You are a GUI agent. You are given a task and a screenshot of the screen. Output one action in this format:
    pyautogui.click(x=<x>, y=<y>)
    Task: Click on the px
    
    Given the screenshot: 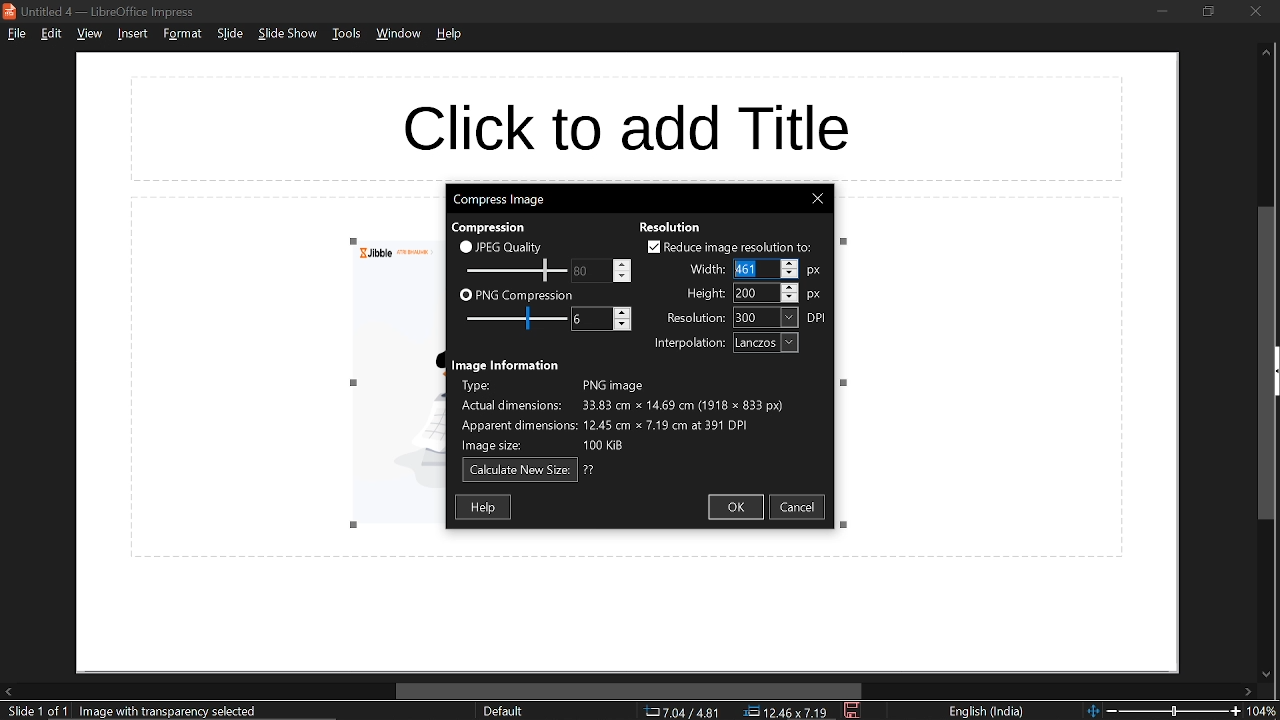 What is the action you would take?
    pyautogui.click(x=815, y=295)
    